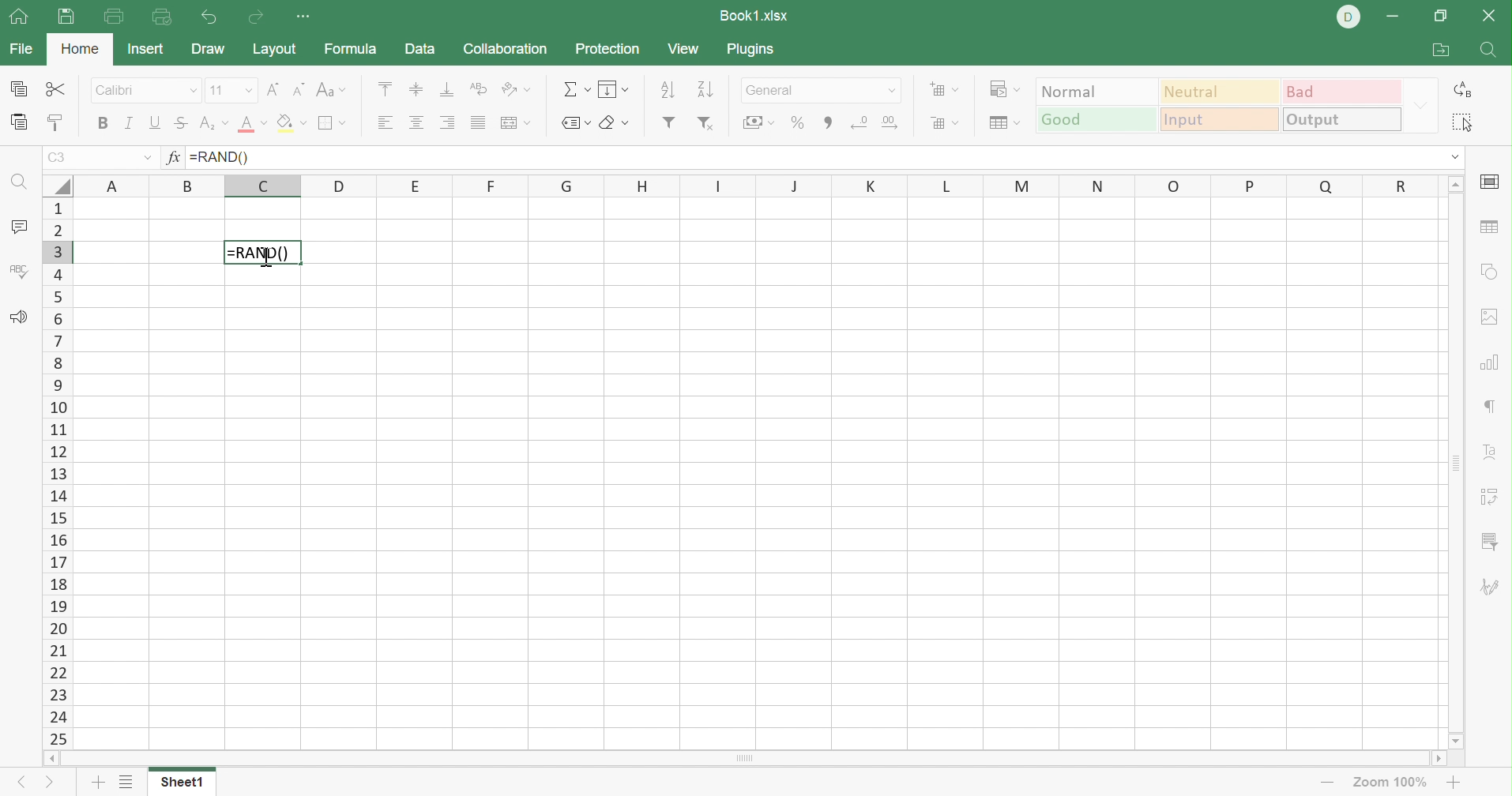 Image resolution: width=1512 pixels, height=796 pixels. What do you see at coordinates (20, 88) in the screenshot?
I see `Copy` at bounding box center [20, 88].